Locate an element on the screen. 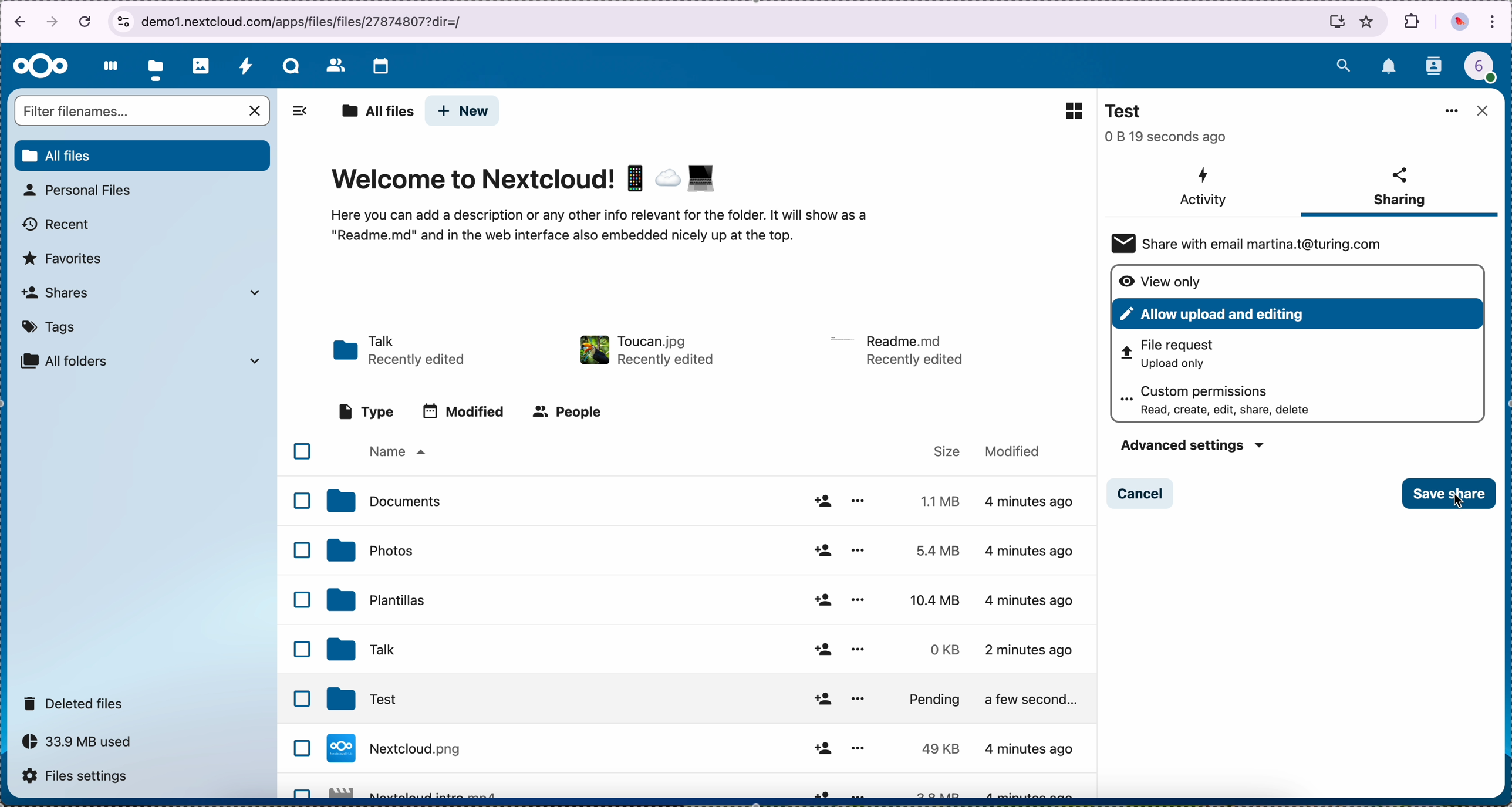 This screenshot has width=1512, height=807. hide sidebar is located at coordinates (296, 115).